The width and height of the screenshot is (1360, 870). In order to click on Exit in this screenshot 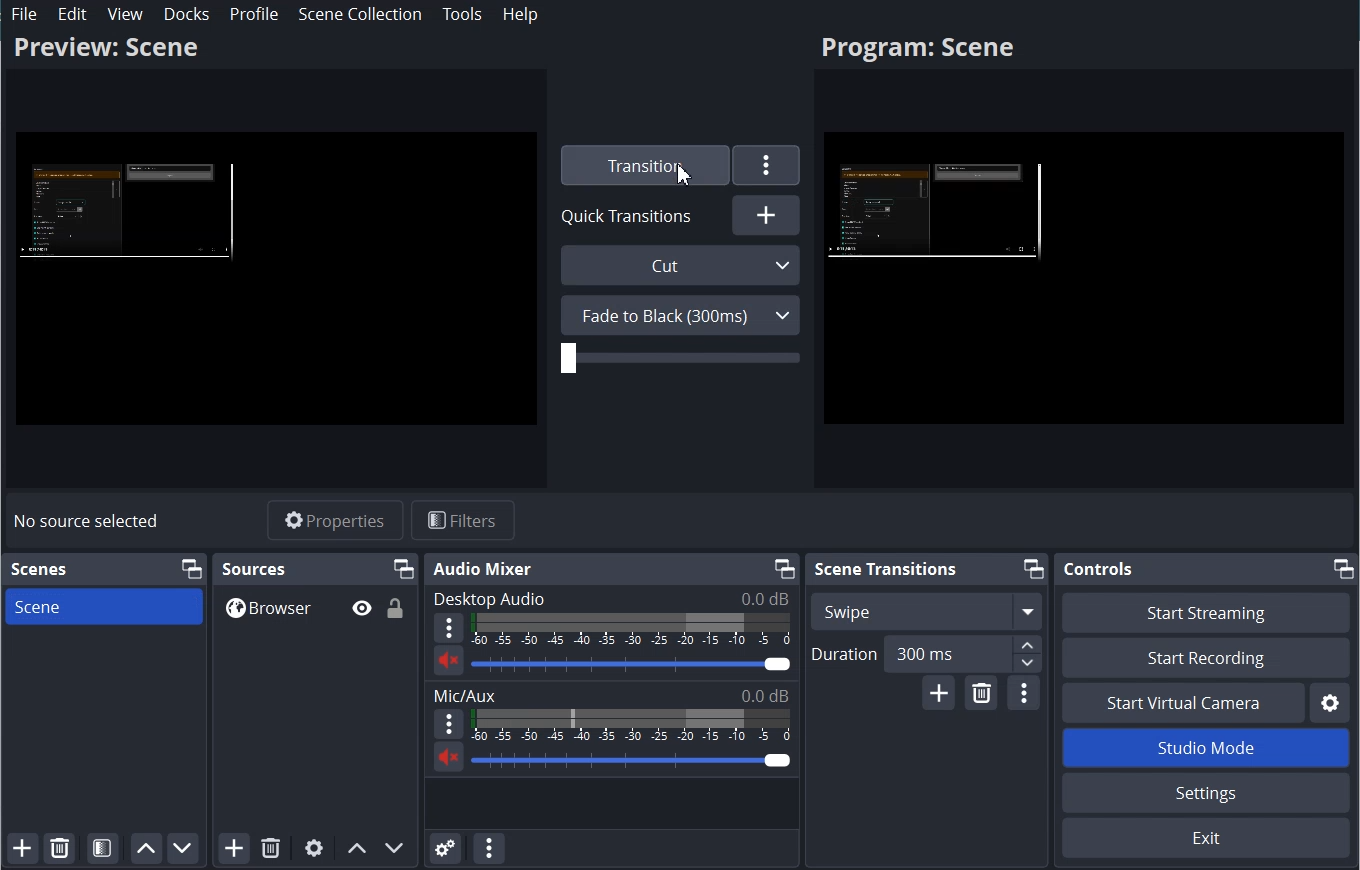, I will do `click(1204, 839)`.